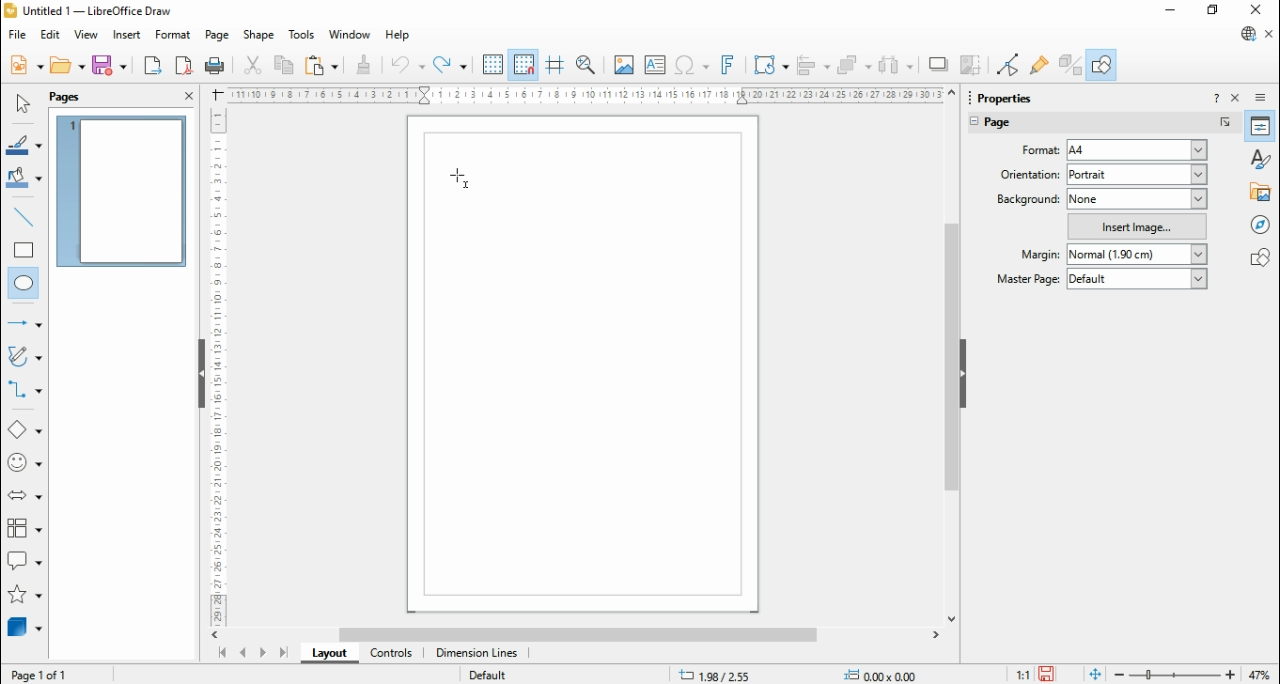  What do you see at coordinates (1137, 279) in the screenshot?
I see `Default ` at bounding box center [1137, 279].